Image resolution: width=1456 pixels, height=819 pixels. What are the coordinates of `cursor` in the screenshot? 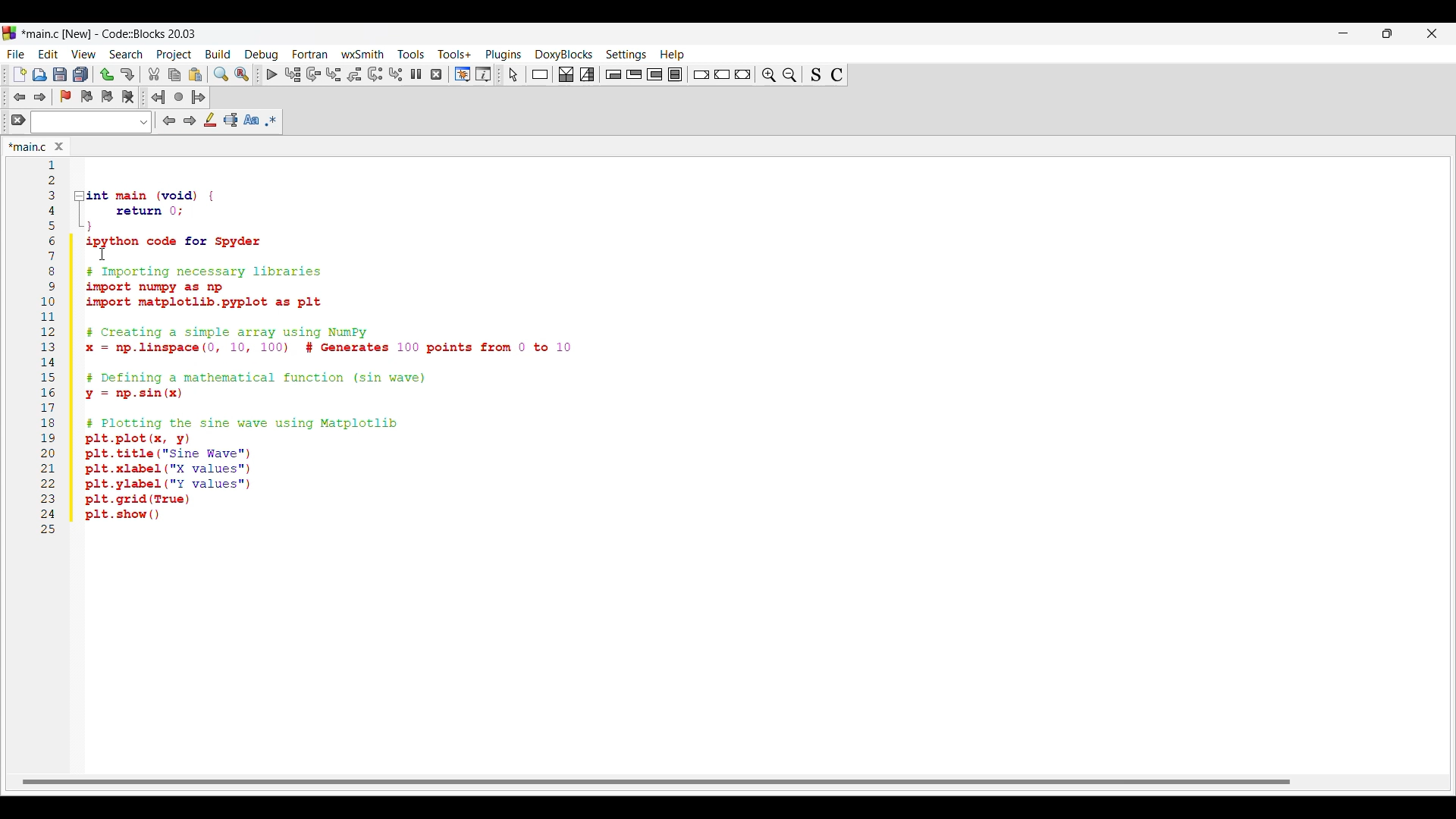 It's located at (105, 249).